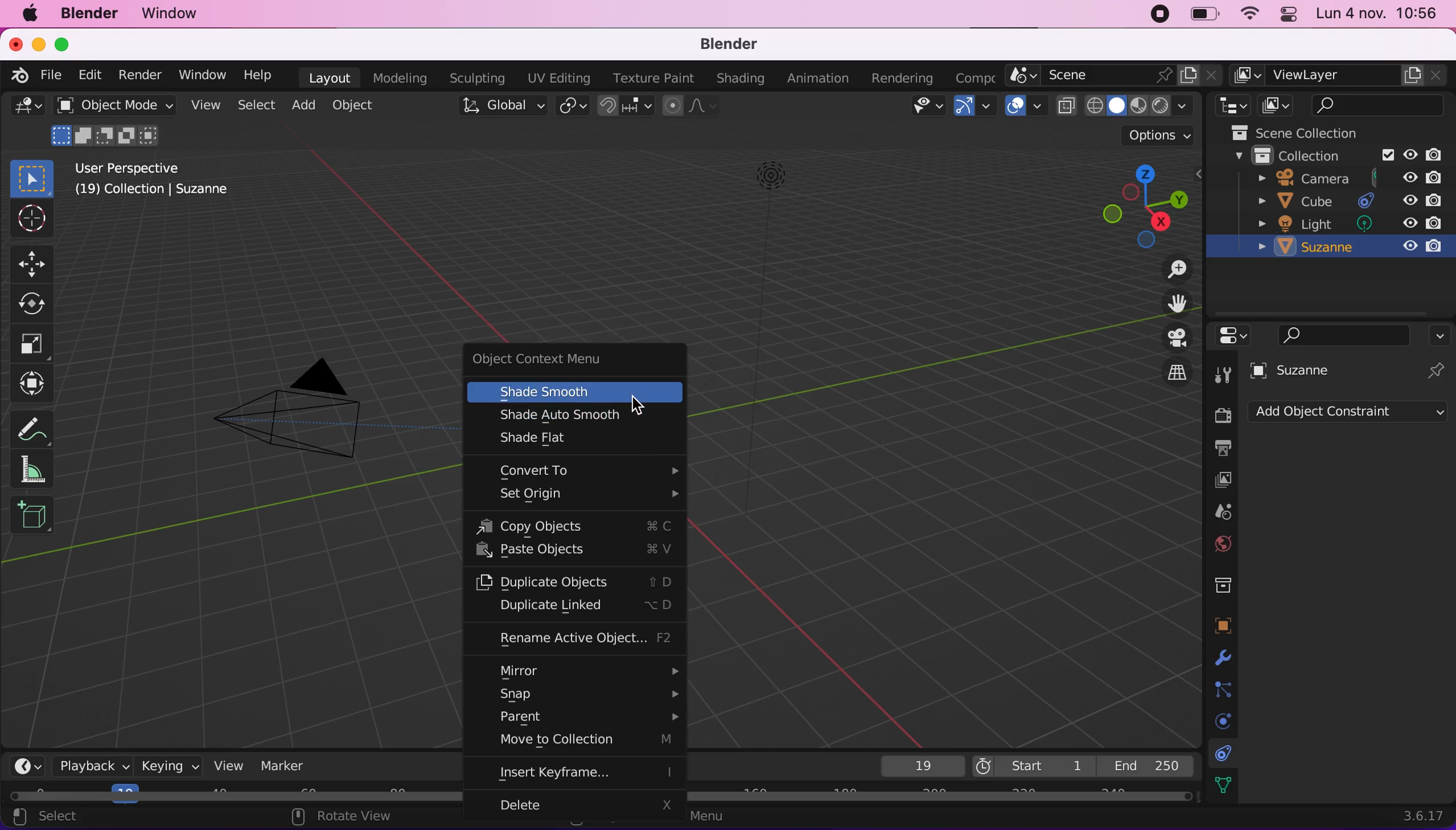 The width and height of the screenshot is (1456, 830). I want to click on output, so click(1220, 449).